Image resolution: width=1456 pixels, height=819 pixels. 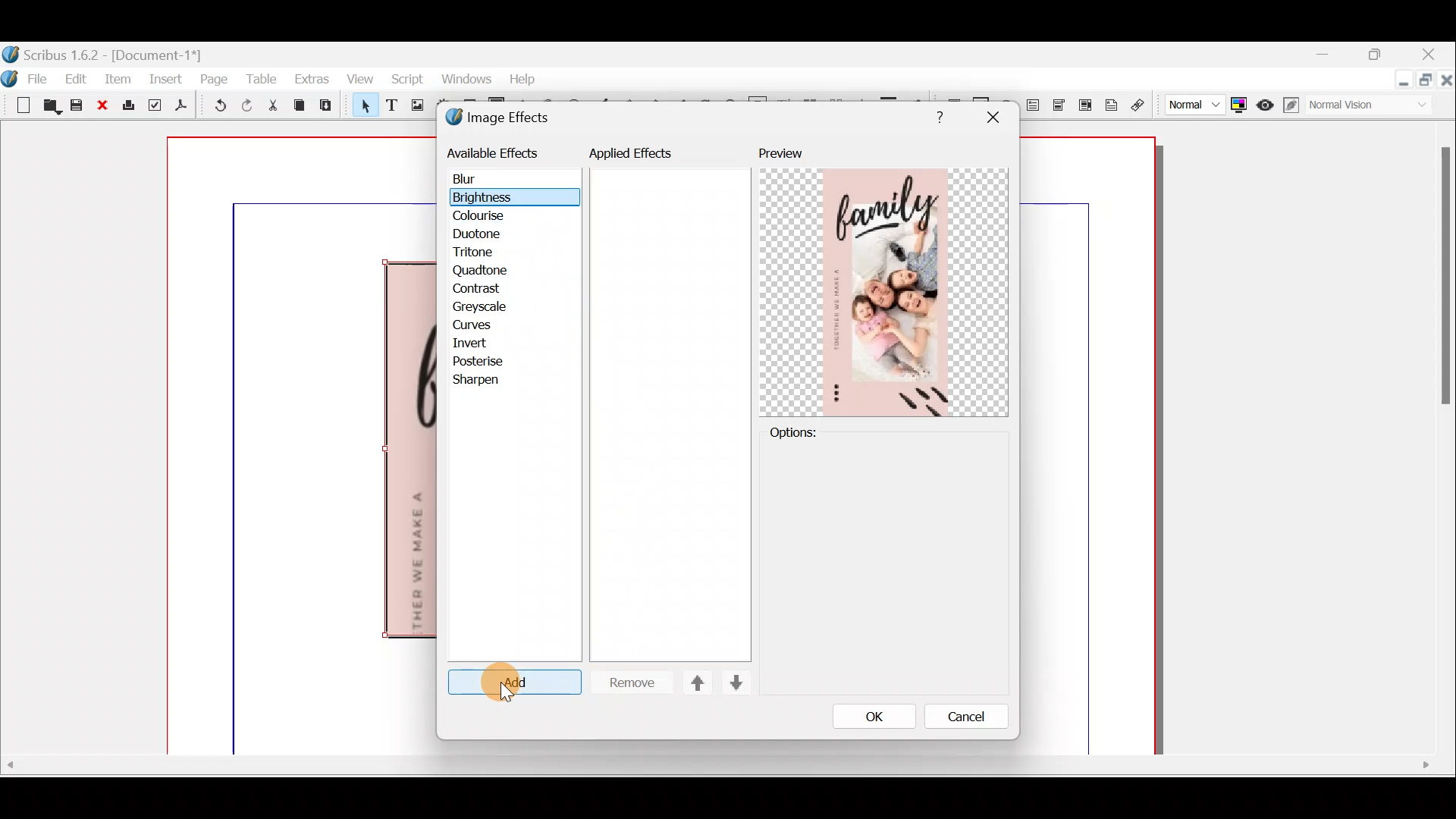 What do you see at coordinates (272, 108) in the screenshot?
I see `Cut` at bounding box center [272, 108].